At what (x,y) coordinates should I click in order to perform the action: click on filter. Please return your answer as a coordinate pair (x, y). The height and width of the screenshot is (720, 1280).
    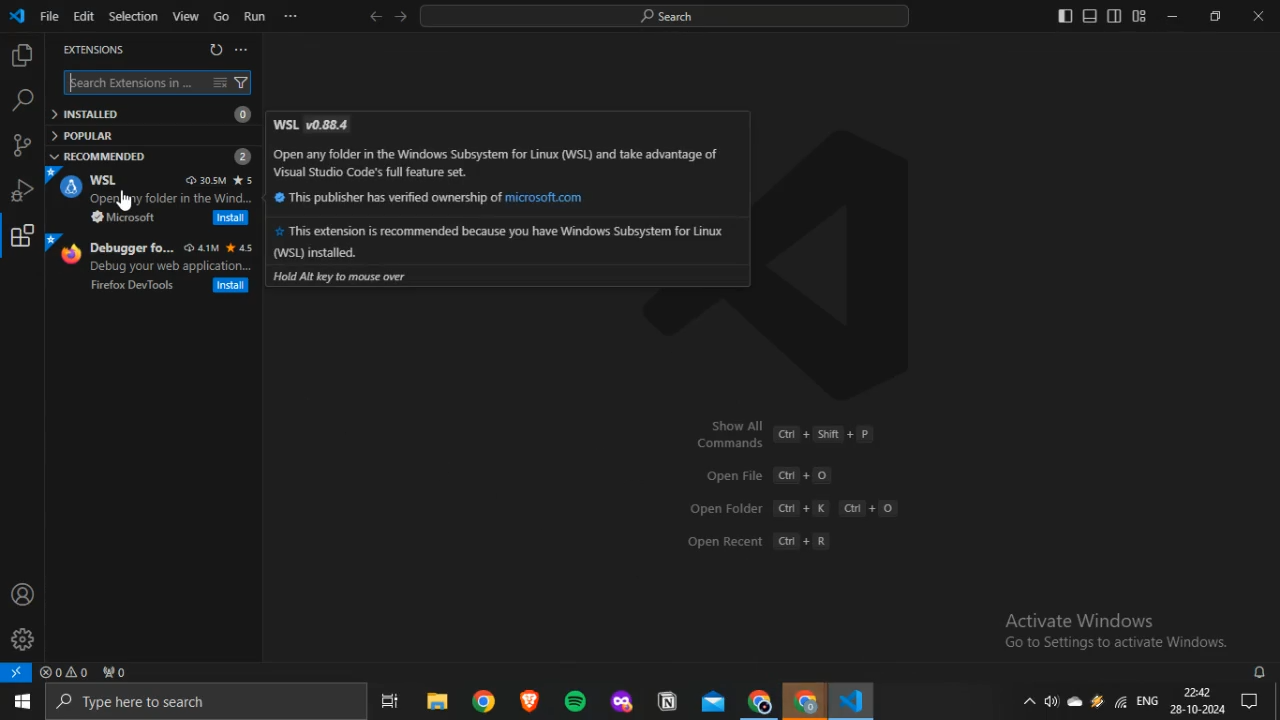
    Looking at the image, I should click on (242, 83).